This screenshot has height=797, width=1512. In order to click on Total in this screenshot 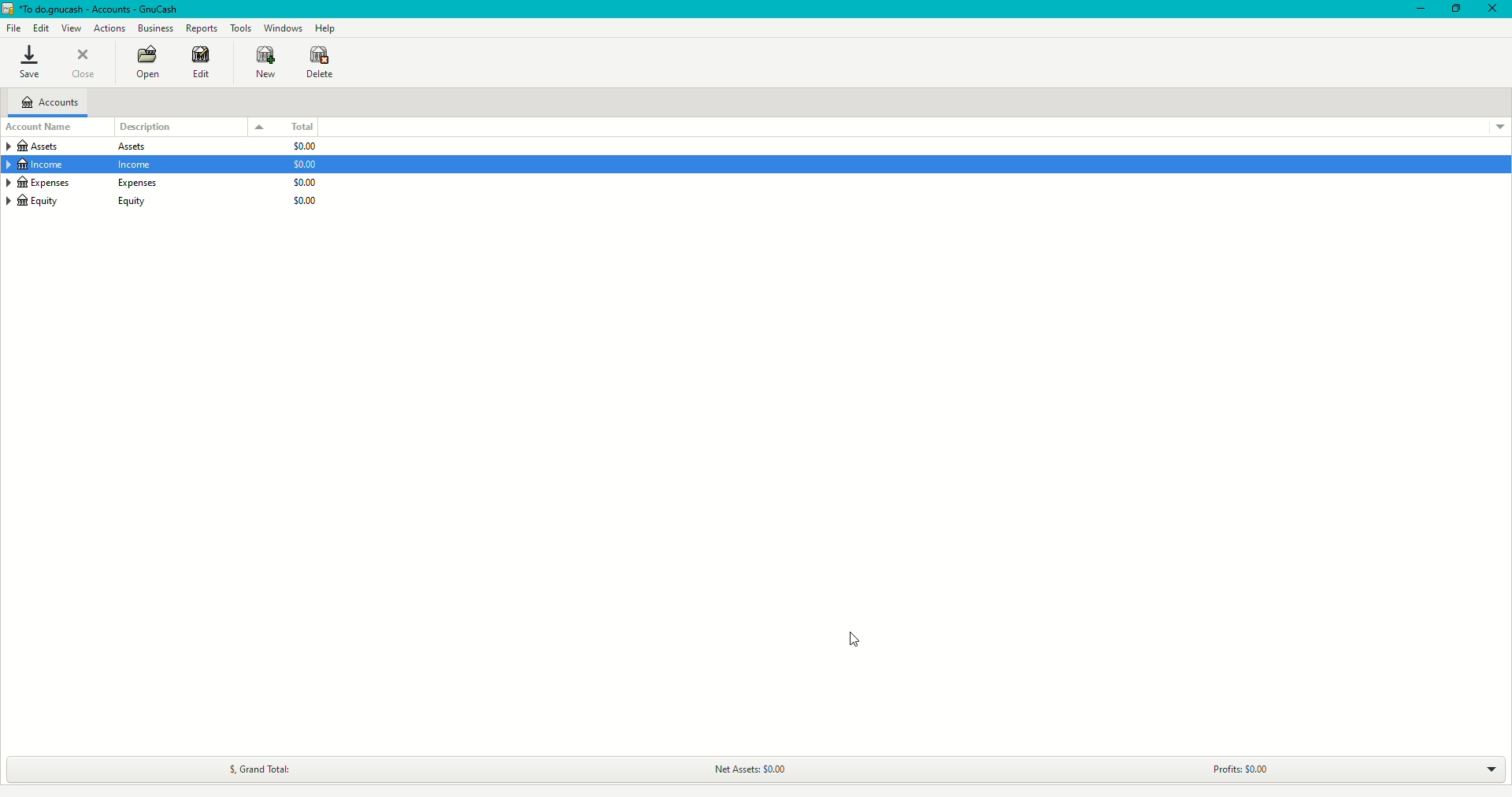, I will do `click(298, 126)`.